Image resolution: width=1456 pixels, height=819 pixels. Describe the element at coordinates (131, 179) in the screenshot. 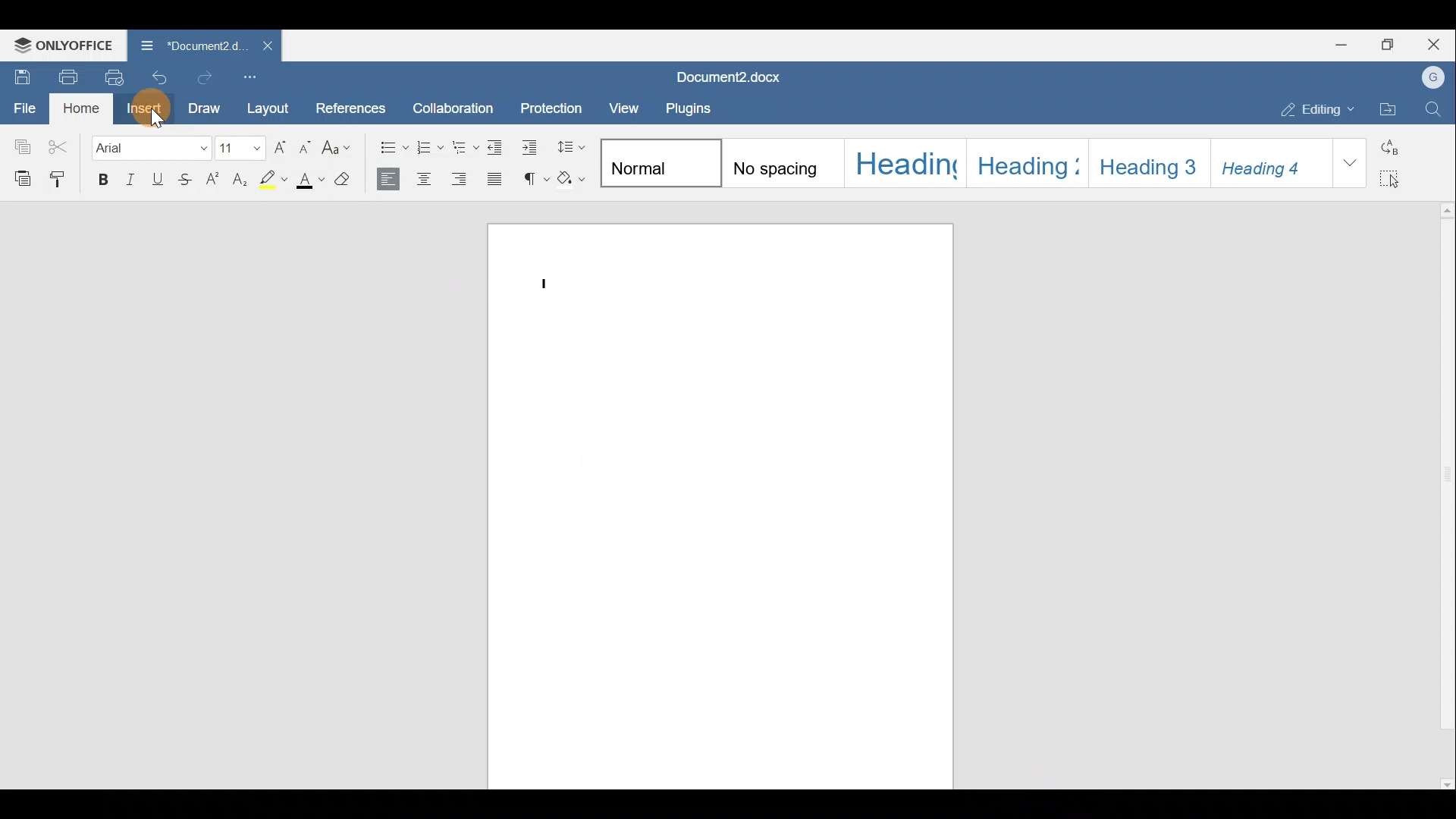

I see `Italic` at that location.